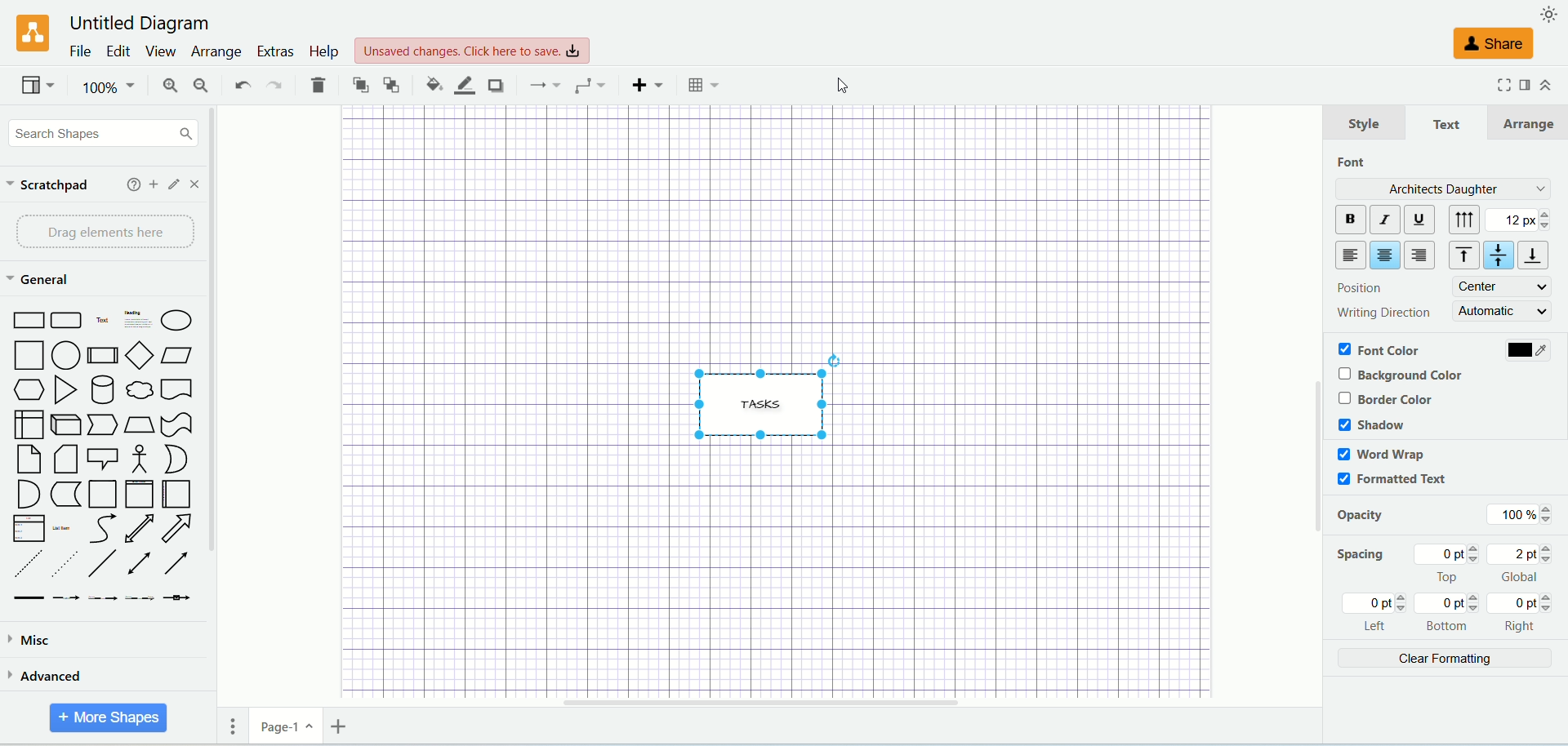  Describe the element at coordinates (1502, 286) in the screenshot. I see `centre` at that location.